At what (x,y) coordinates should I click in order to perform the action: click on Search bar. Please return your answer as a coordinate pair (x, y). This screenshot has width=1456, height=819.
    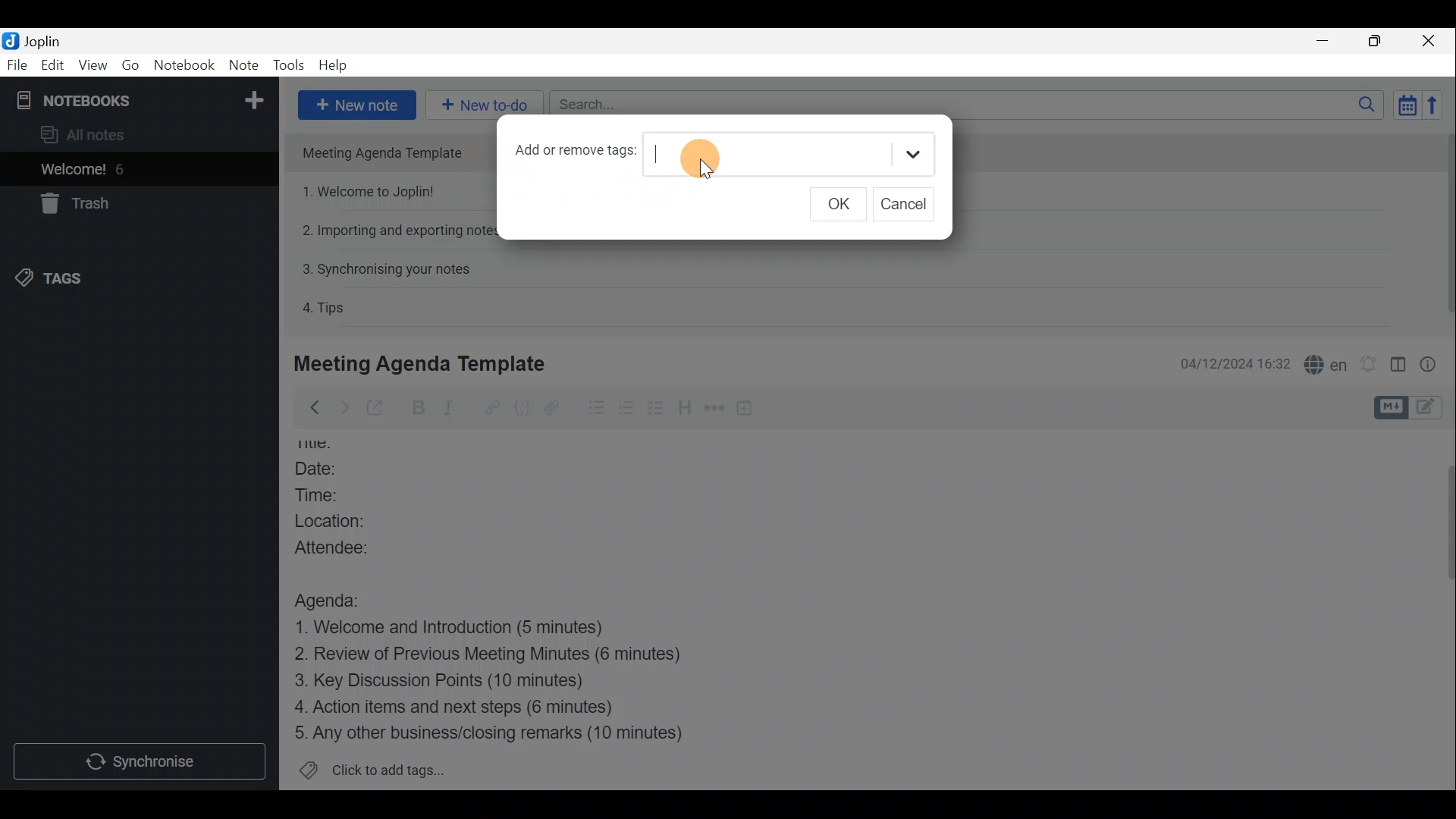
    Looking at the image, I should click on (962, 102).